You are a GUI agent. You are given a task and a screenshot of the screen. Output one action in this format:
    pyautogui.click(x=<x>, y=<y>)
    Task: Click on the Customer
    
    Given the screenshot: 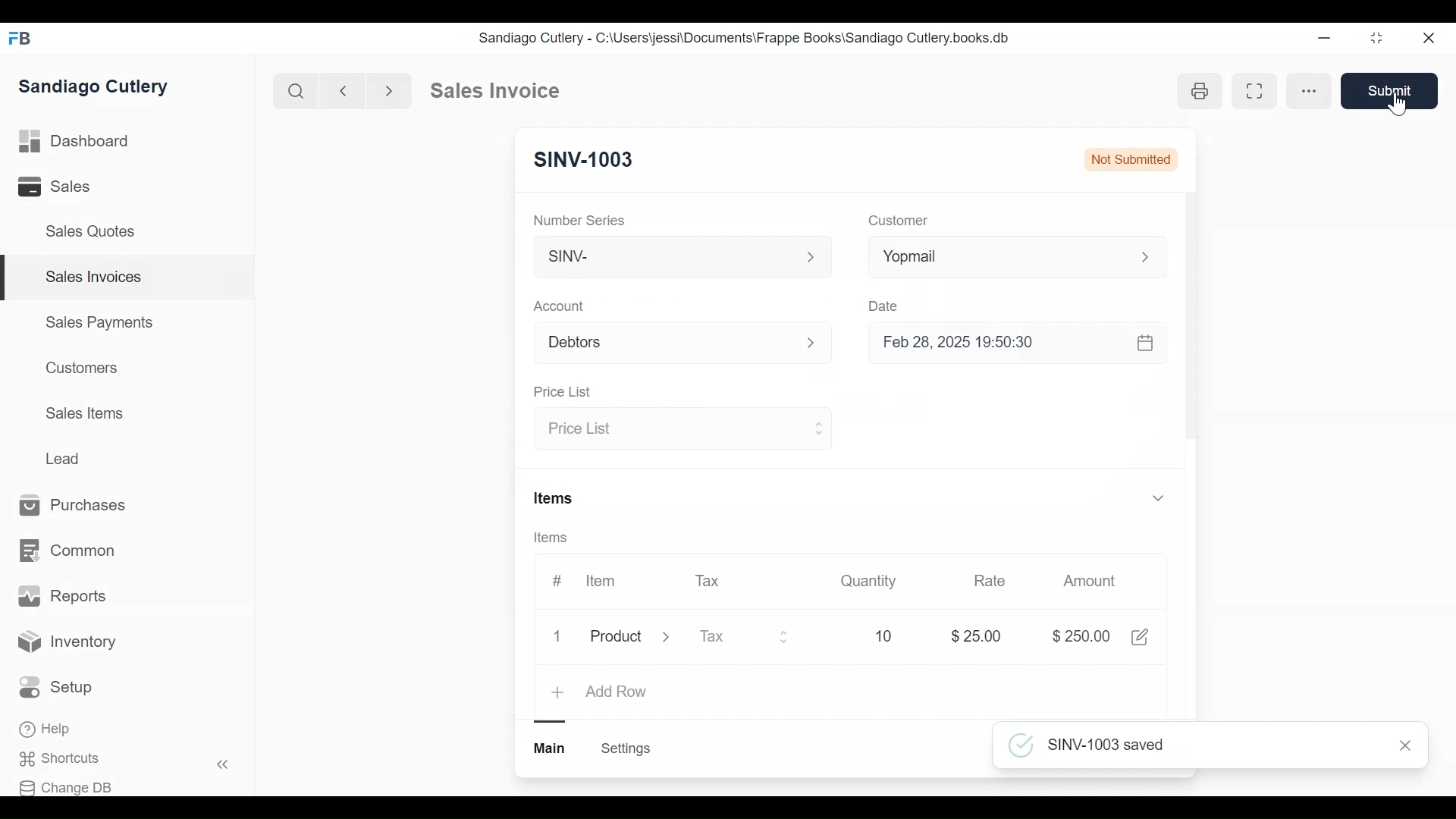 What is the action you would take?
    pyautogui.click(x=896, y=221)
    